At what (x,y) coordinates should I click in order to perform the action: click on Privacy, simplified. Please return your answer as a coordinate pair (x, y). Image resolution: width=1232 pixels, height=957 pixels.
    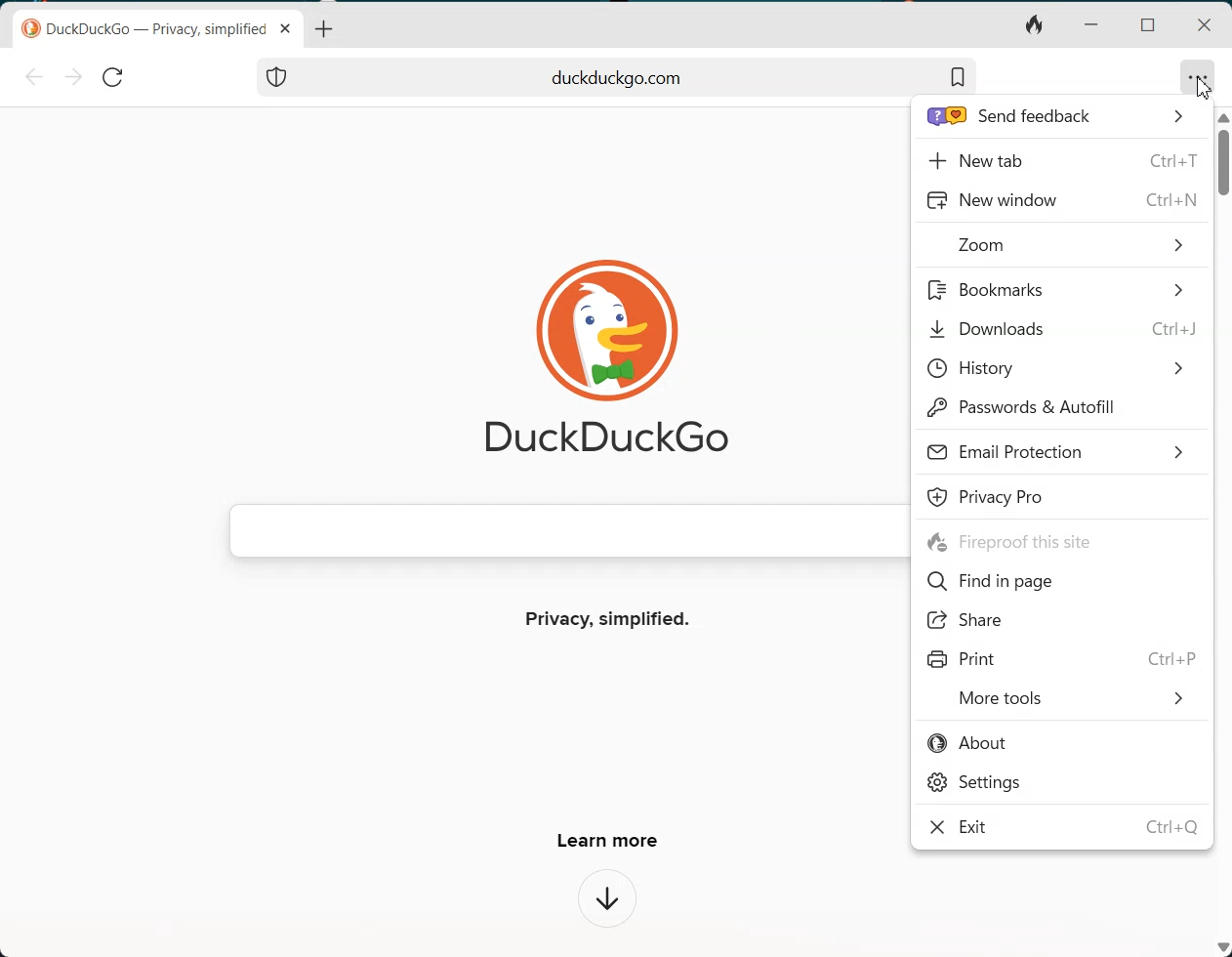
    Looking at the image, I should click on (610, 619).